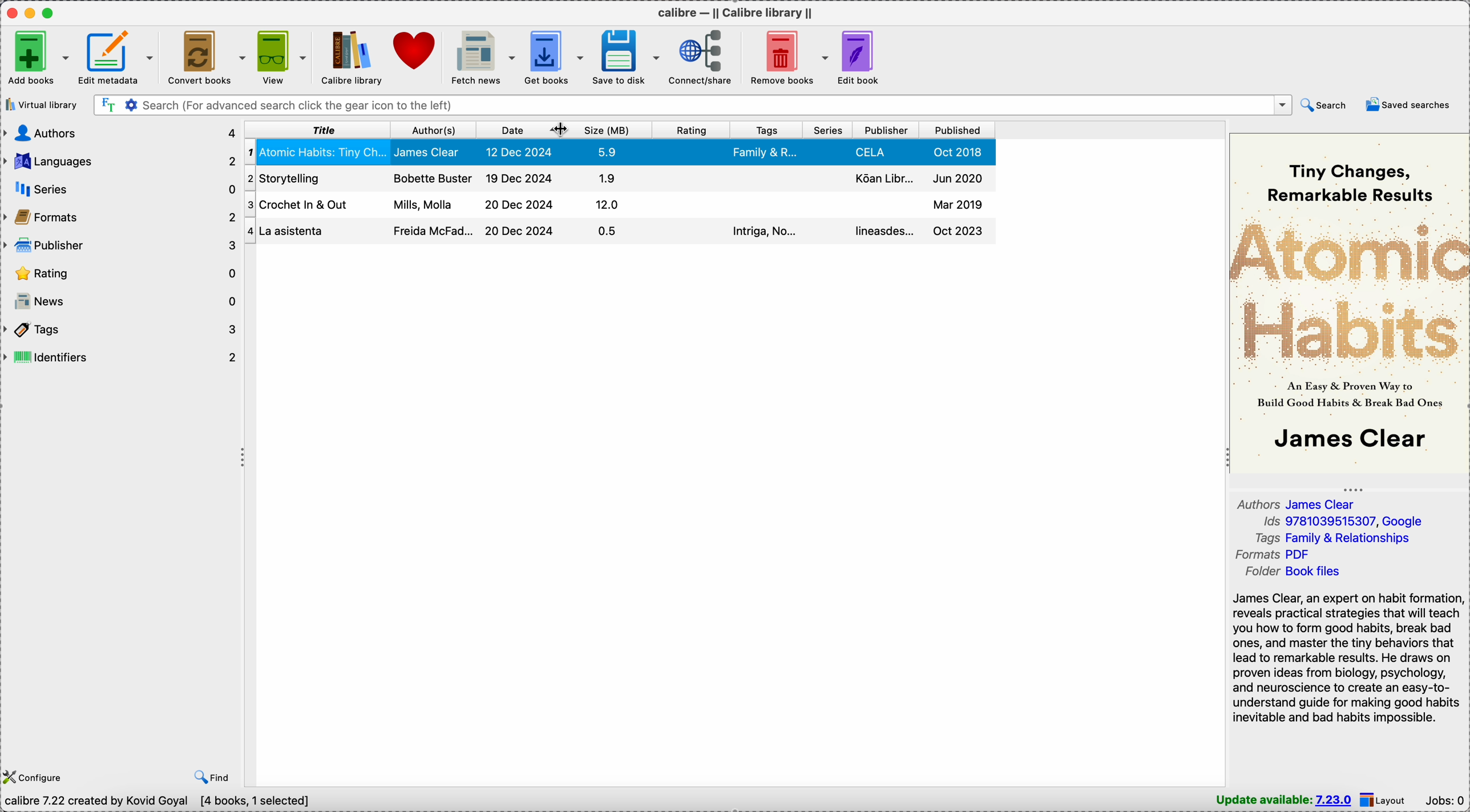  What do you see at coordinates (620, 152) in the screenshot?
I see `Atomic Habits: Tiny Changes book selected` at bounding box center [620, 152].